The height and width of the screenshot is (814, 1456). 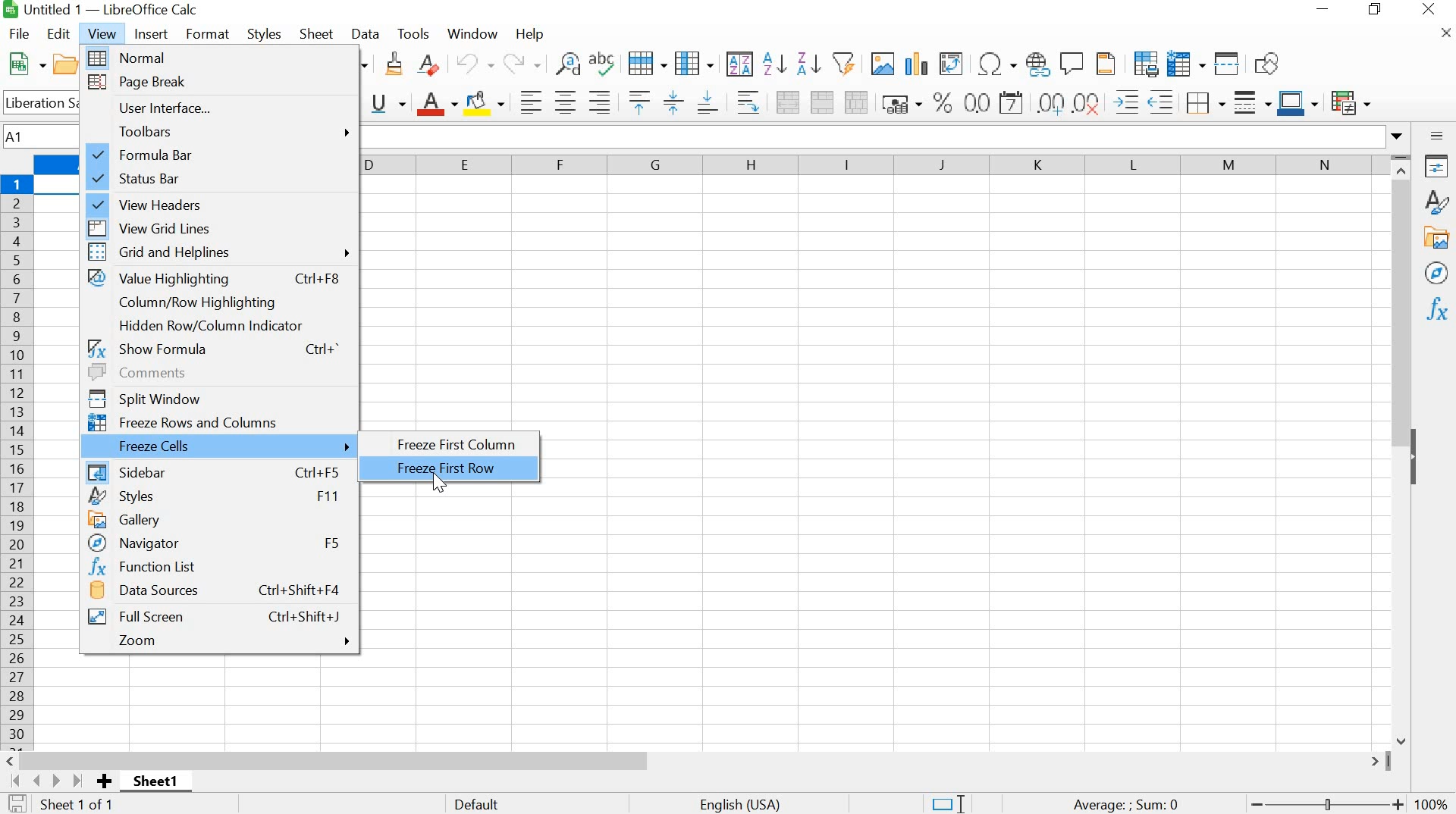 What do you see at coordinates (1429, 11) in the screenshot?
I see `CLOSE` at bounding box center [1429, 11].